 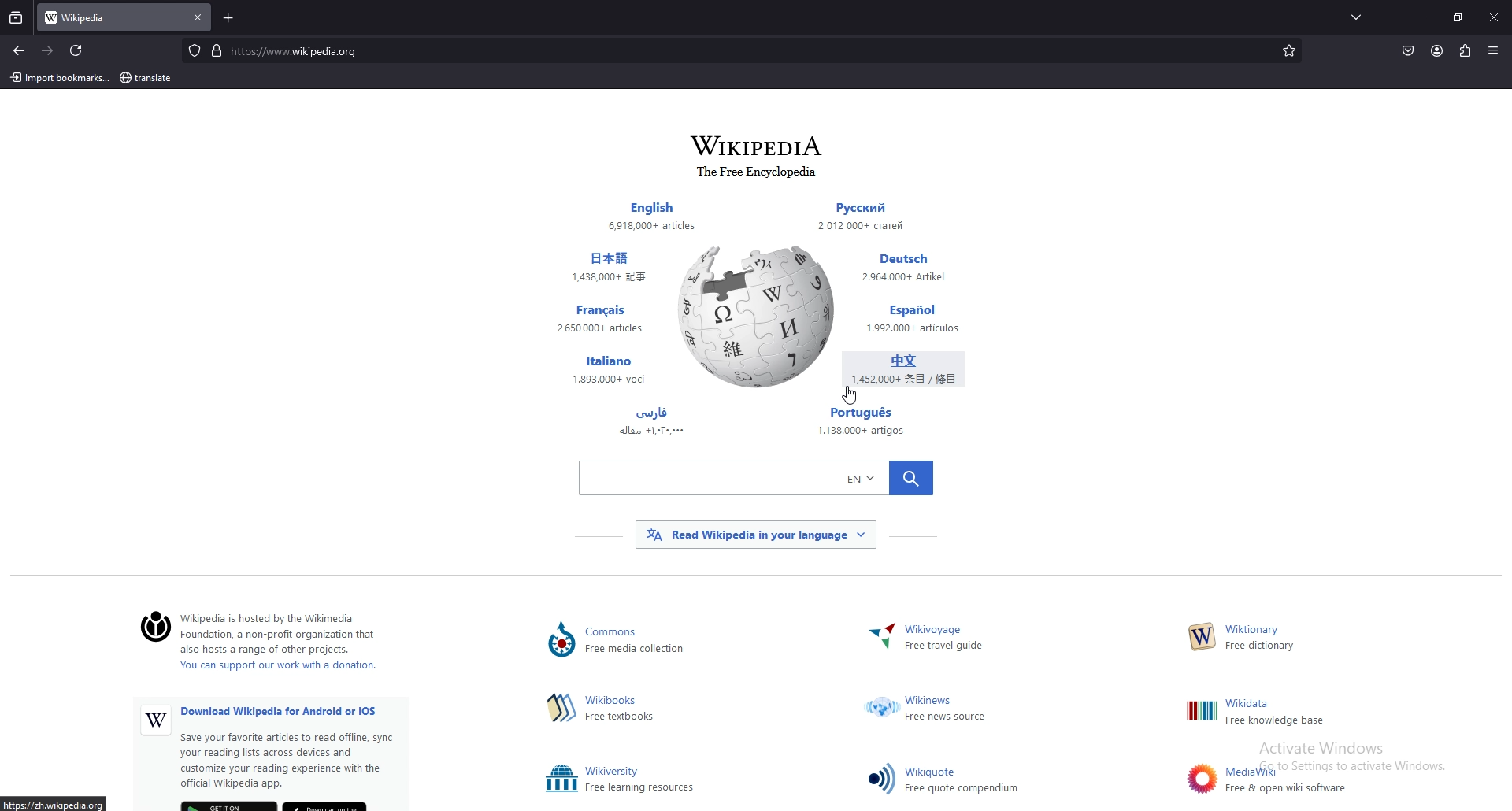 I want to click on , so click(x=756, y=476).